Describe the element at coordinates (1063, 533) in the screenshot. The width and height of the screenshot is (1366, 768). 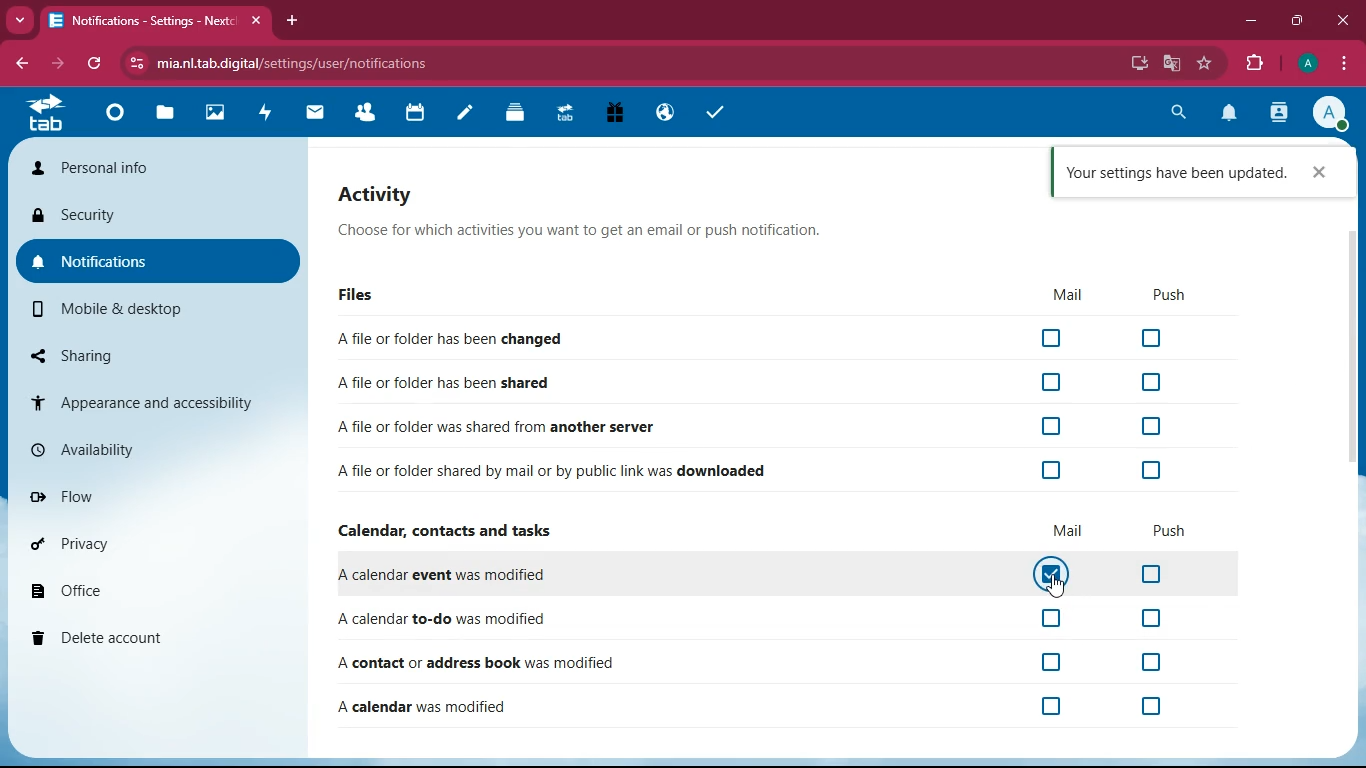
I see `mail` at that location.